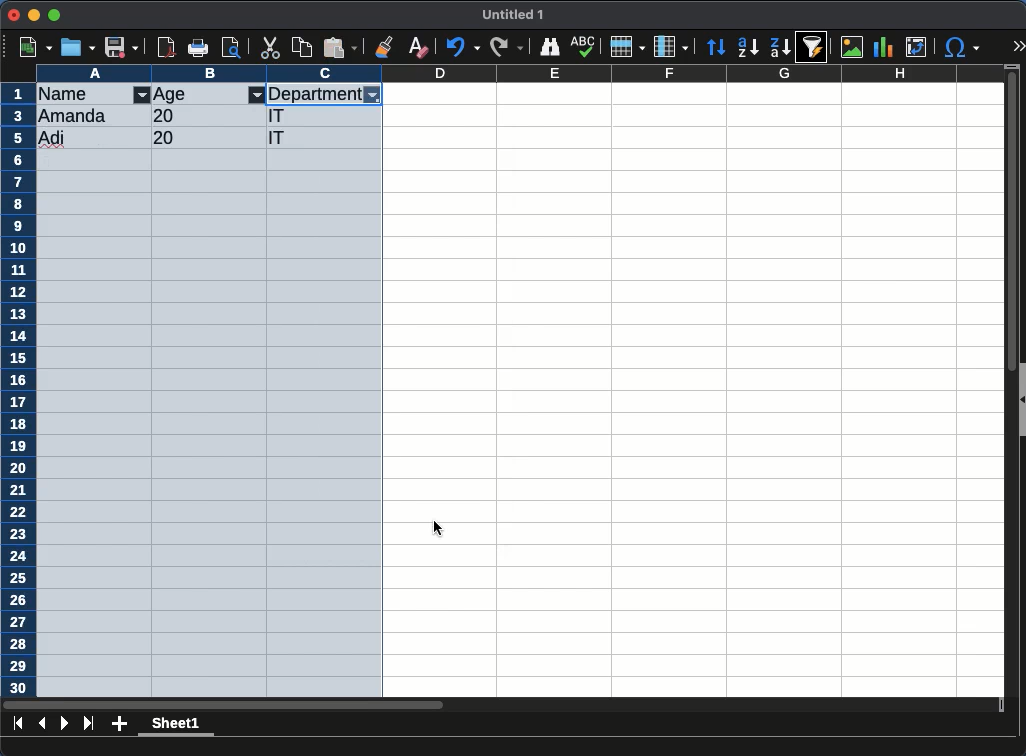 The height and width of the screenshot is (756, 1026). Describe the element at coordinates (505, 47) in the screenshot. I see `redo` at that location.